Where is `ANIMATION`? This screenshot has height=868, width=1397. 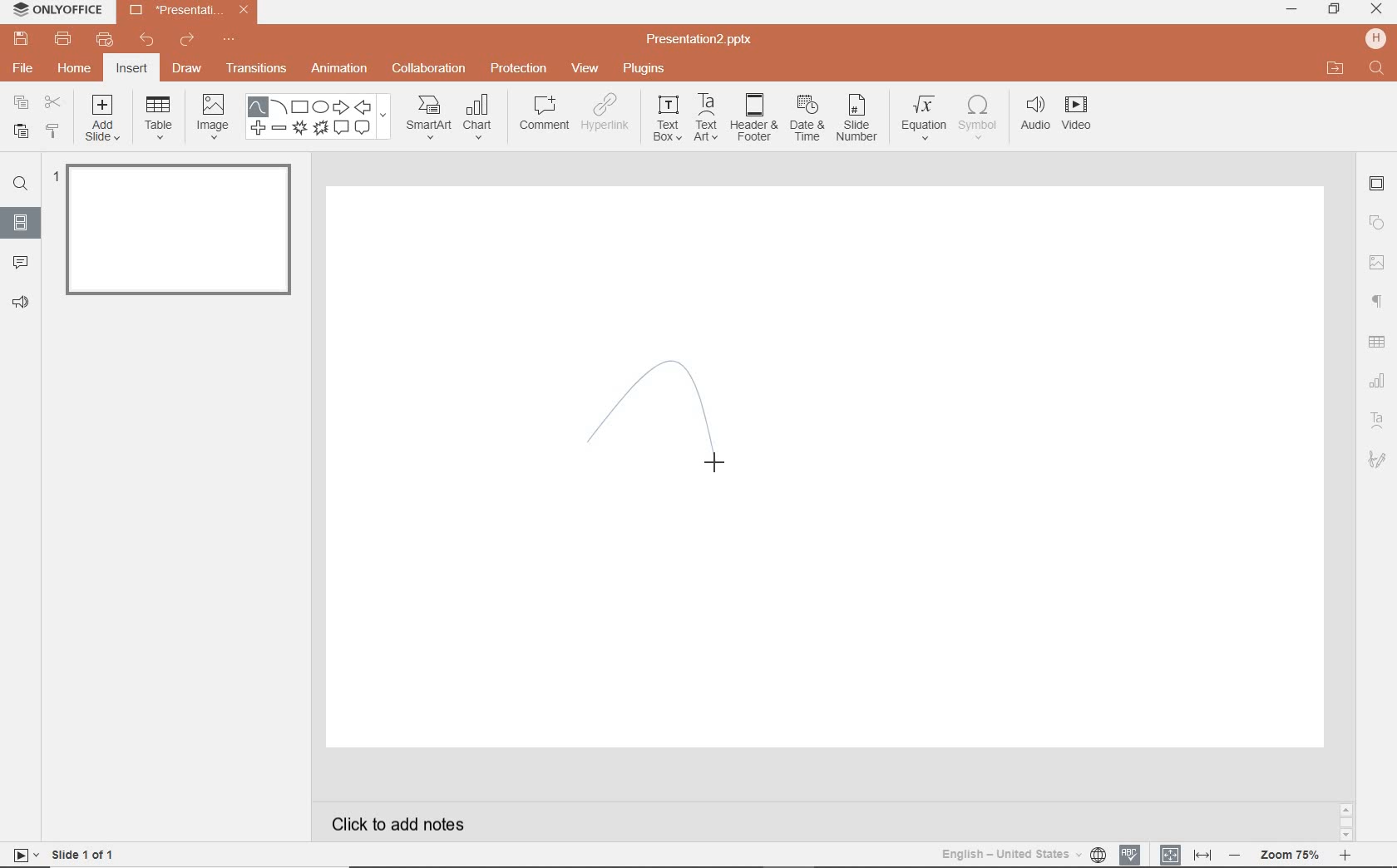 ANIMATION is located at coordinates (343, 69).